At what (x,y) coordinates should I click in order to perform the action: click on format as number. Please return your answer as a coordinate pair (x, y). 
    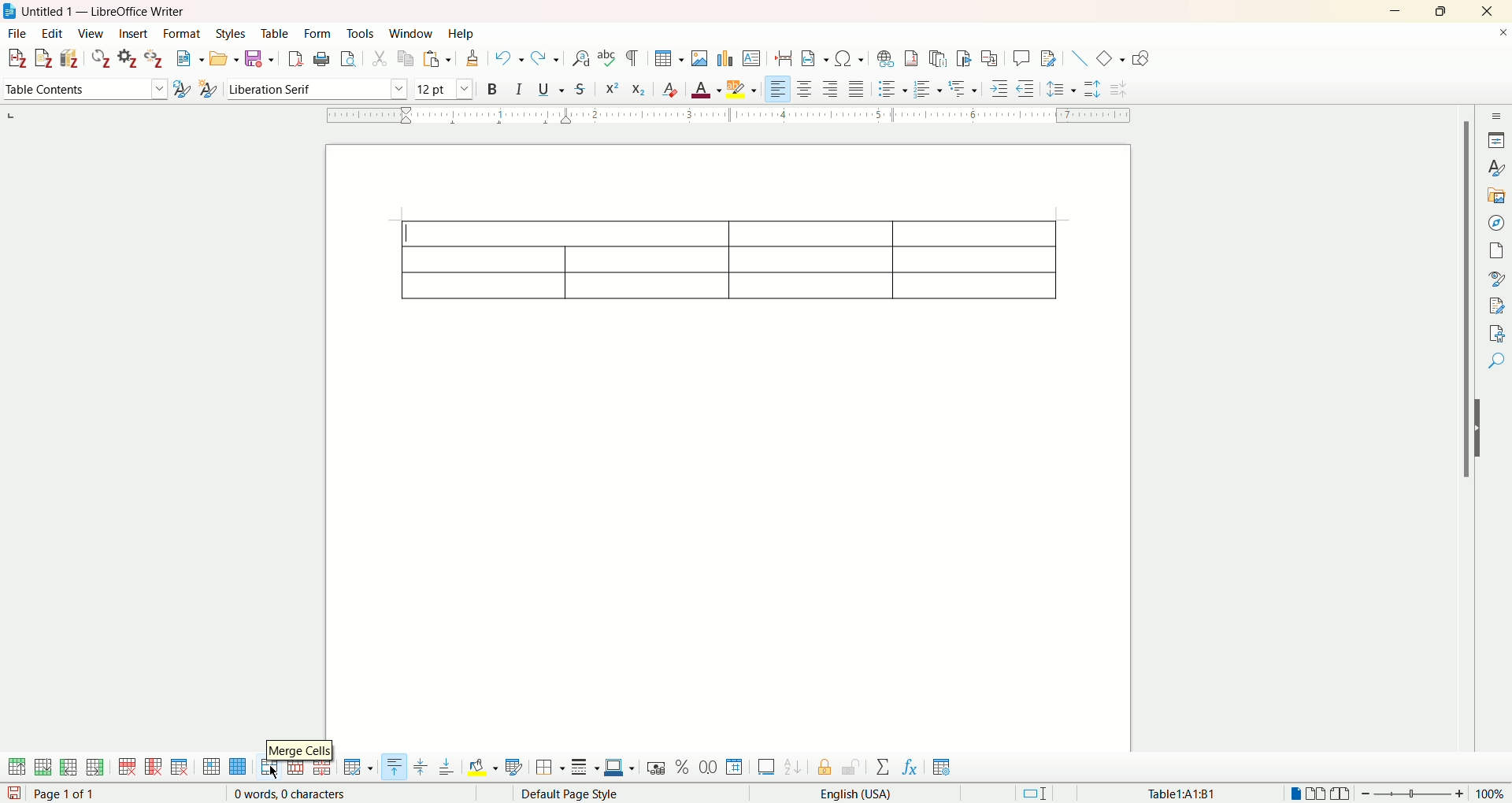
    Looking at the image, I should click on (739, 765).